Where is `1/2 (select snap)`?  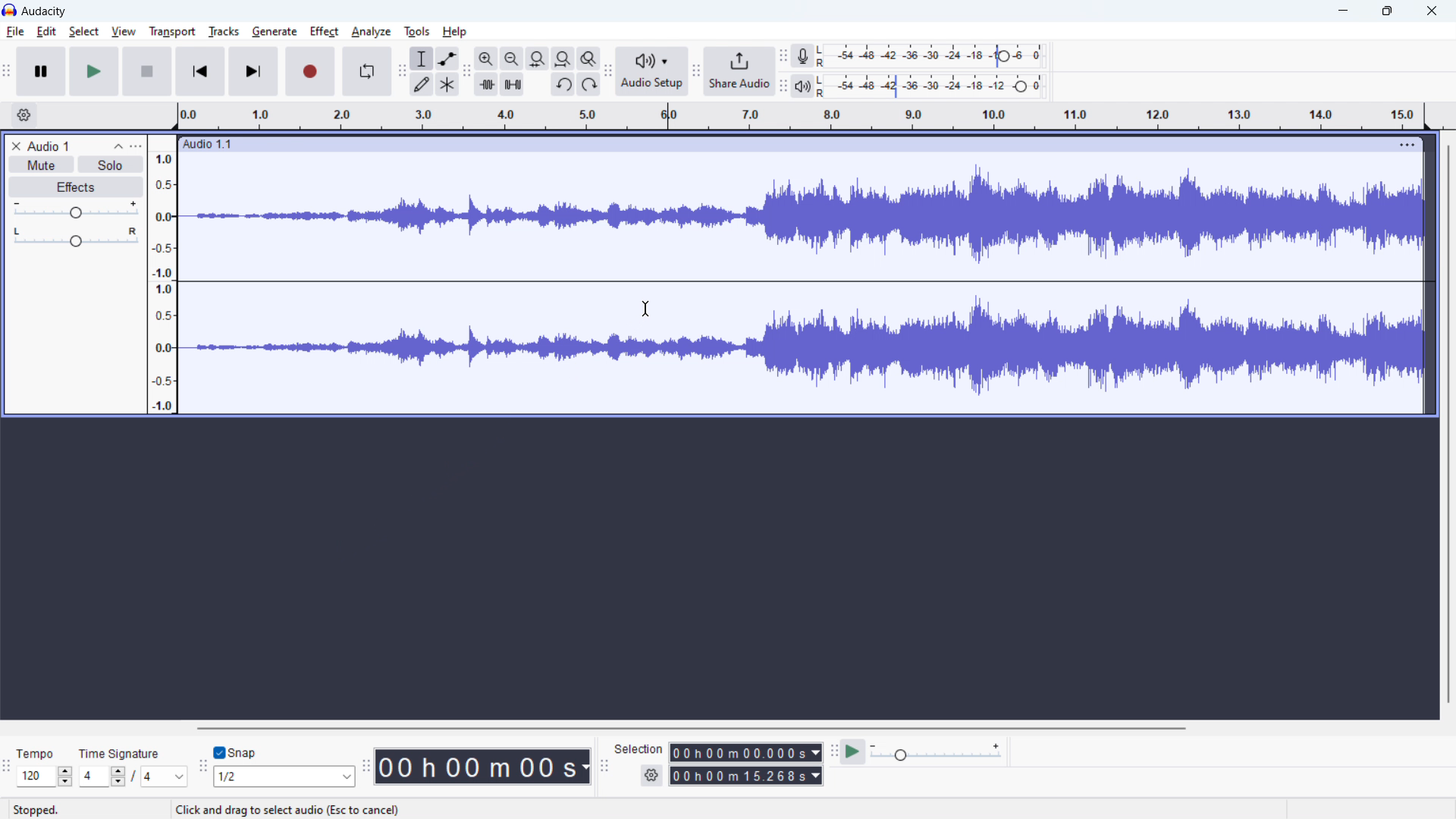 1/2 (select snap) is located at coordinates (285, 776).